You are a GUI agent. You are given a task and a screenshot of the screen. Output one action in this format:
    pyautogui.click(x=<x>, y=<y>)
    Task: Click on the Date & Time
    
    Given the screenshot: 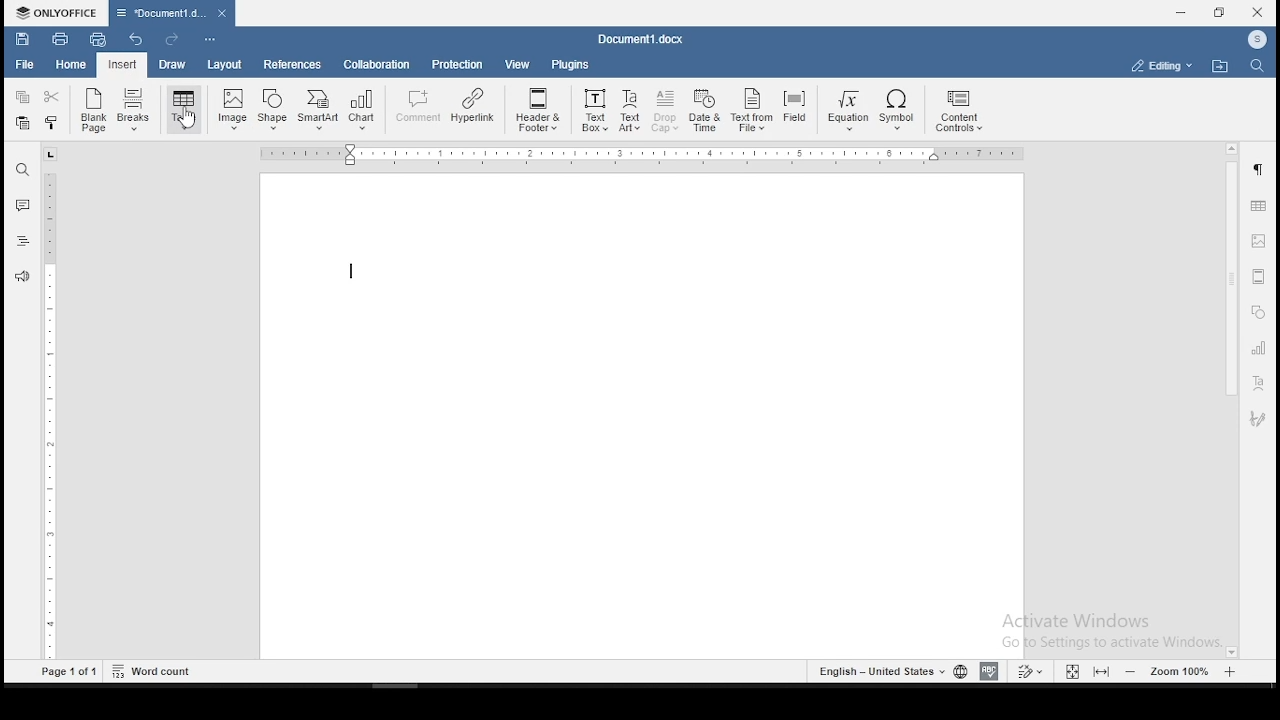 What is the action you would take?
    pyautogui.click(x=706, y=111)
    